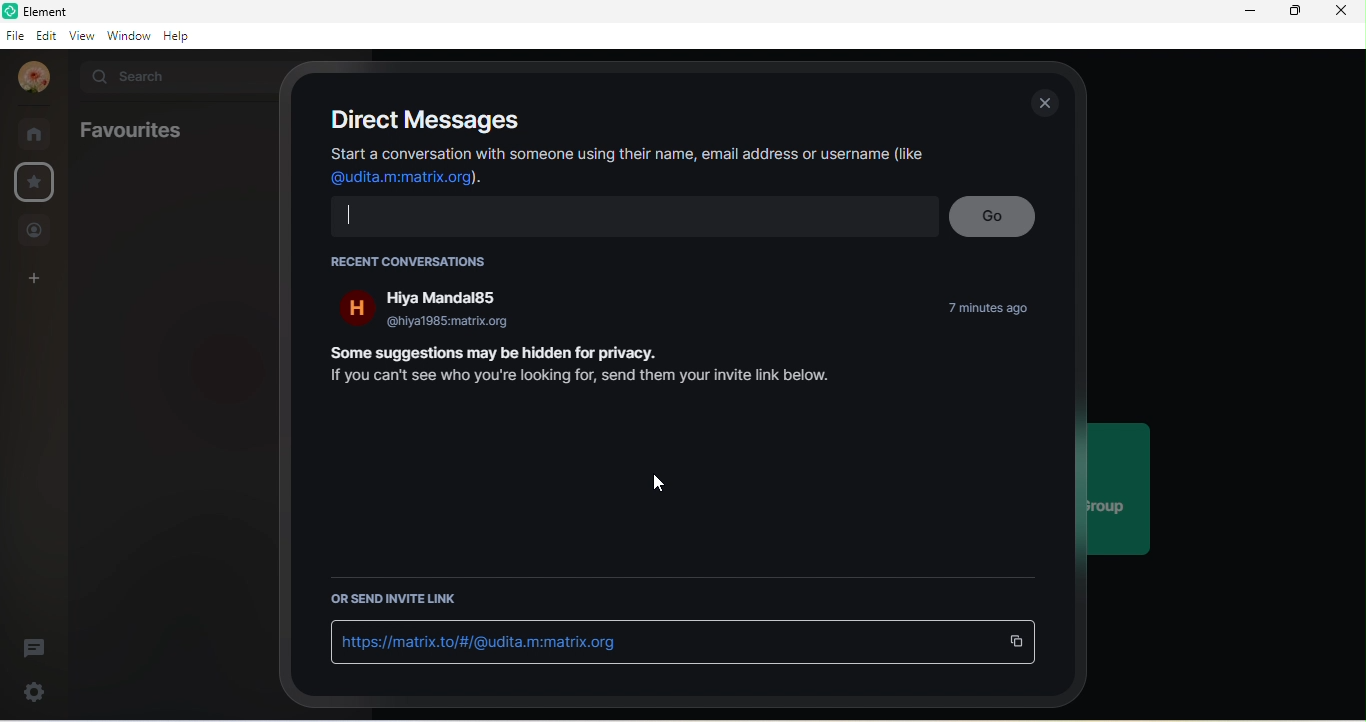 This screenshot has width=1366, height=722. What do you see at coordinates (129, 130) in the screenshot?
I see `favourites` at bounding box center [129, 130].